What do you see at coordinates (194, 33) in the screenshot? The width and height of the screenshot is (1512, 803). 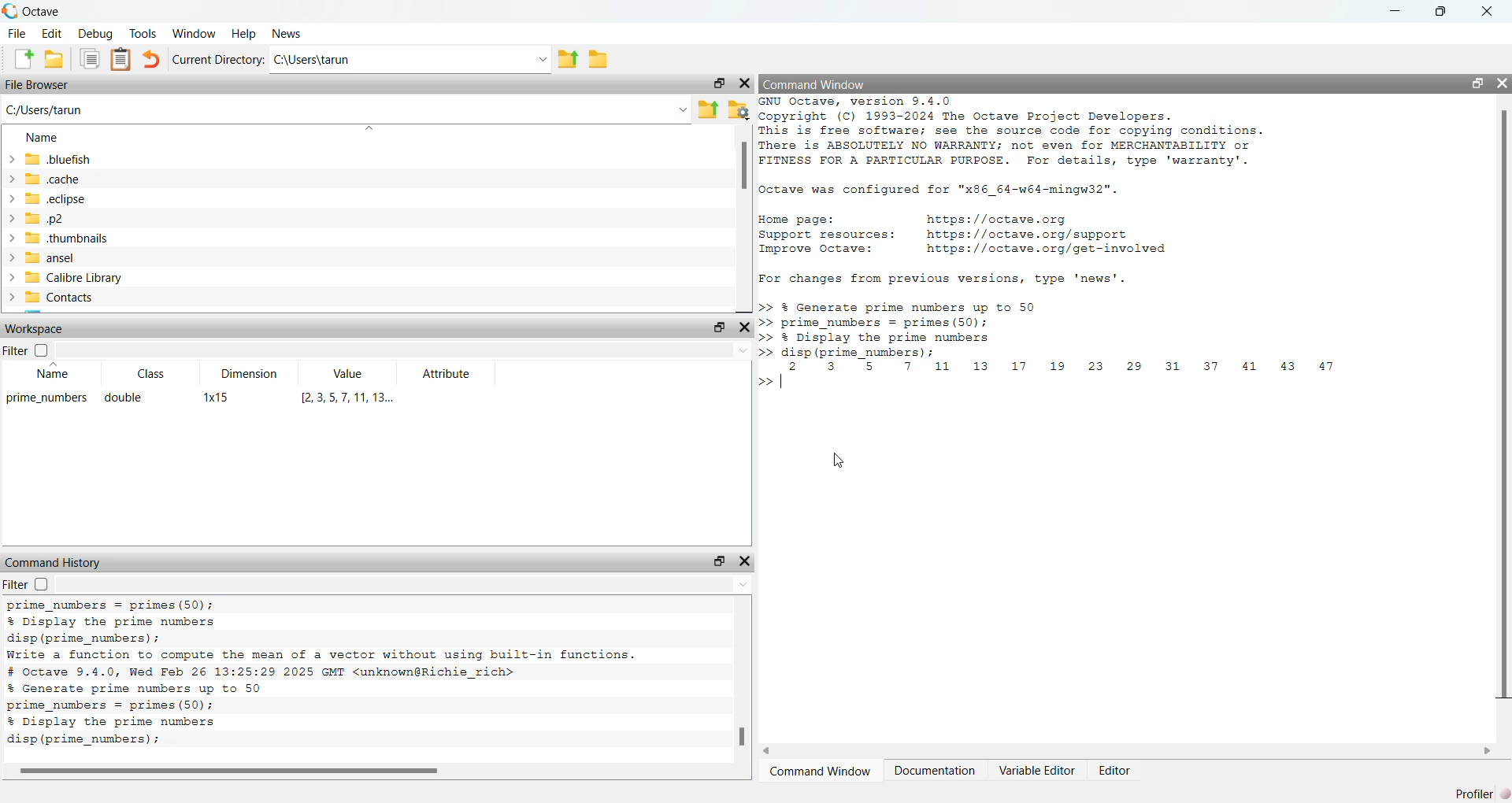 I see `window` at bounding box center [194, 33].